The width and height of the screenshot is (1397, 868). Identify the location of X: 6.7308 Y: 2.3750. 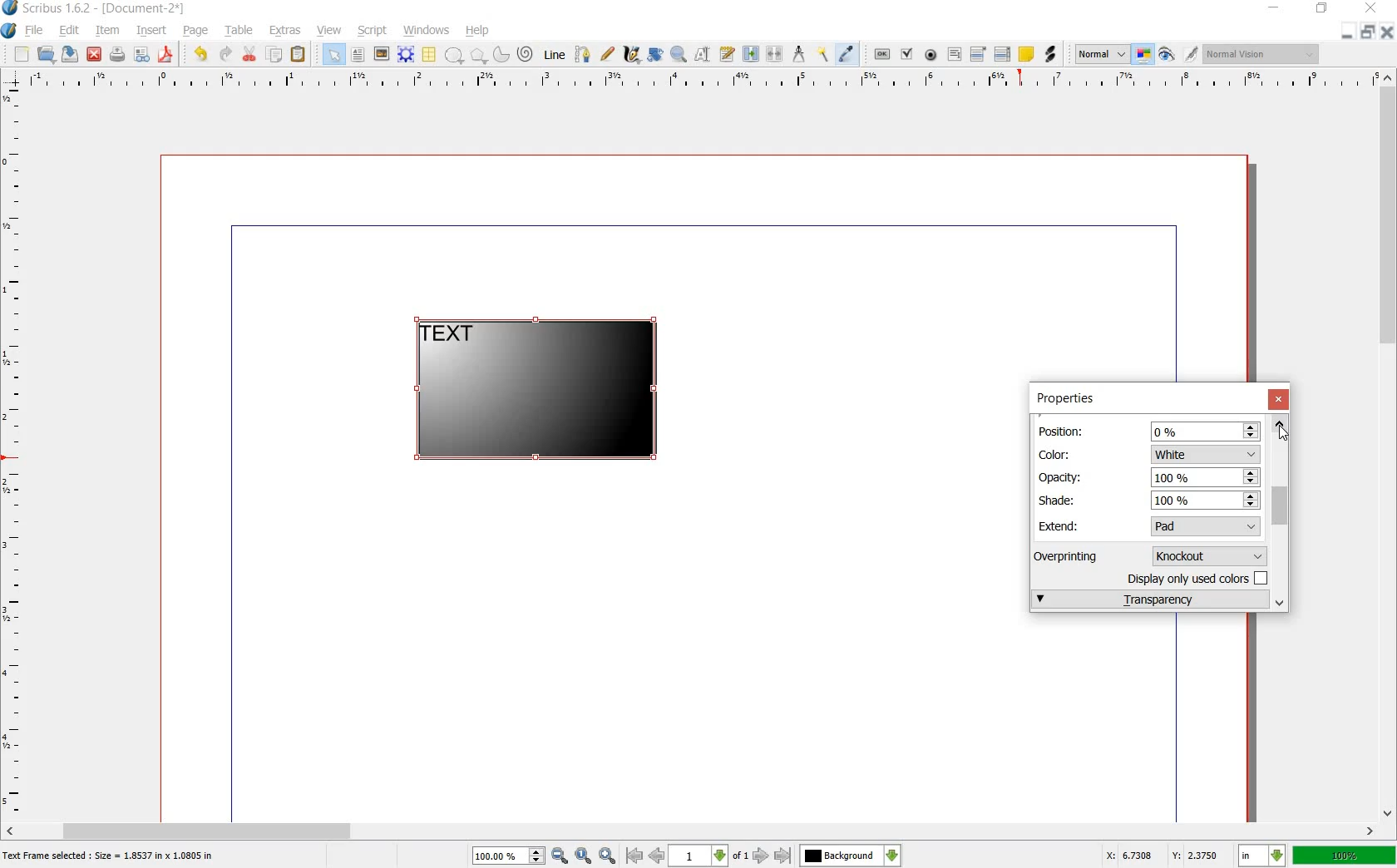
(1162, 855).